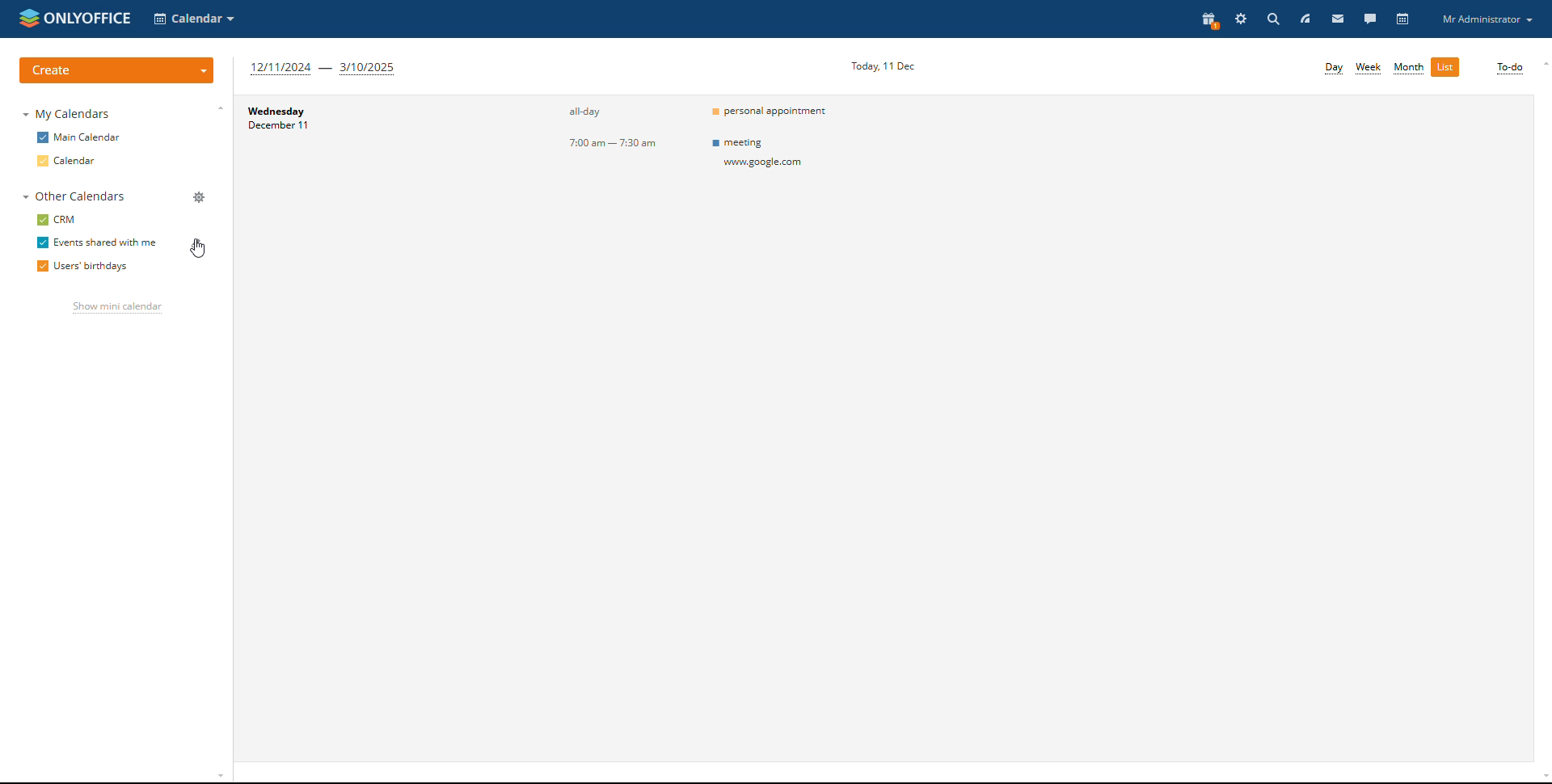 This screenshot has height=784, width=1552. What do you see at coordinates (883, 65) in the screenshot?
I see `current date` at bounding box center [883, 65].